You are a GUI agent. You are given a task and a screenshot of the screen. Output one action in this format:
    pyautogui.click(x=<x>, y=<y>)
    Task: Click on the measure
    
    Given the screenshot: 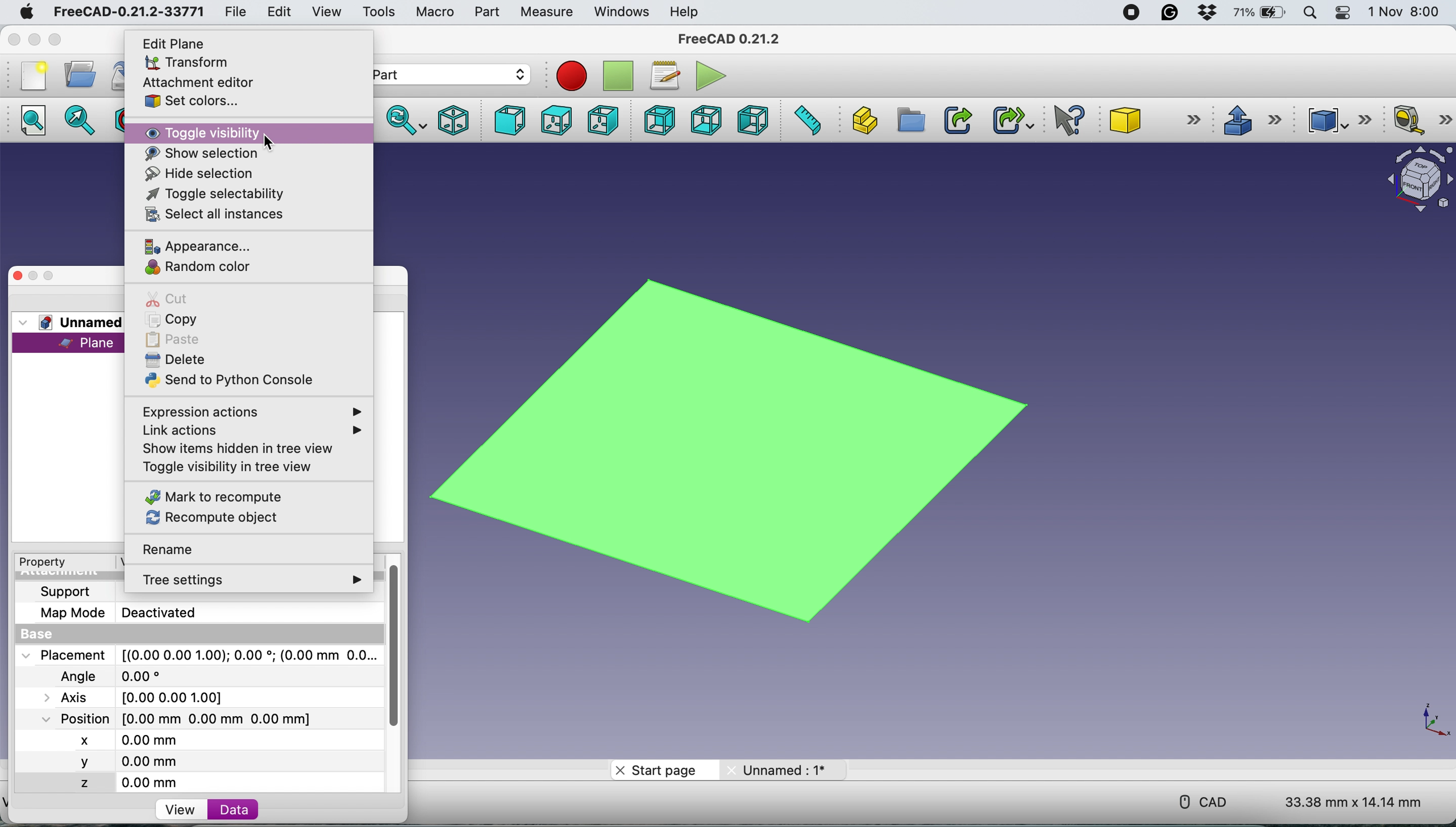 What is the action you would take?
    pyautogui.click(x=550, y=11)
    